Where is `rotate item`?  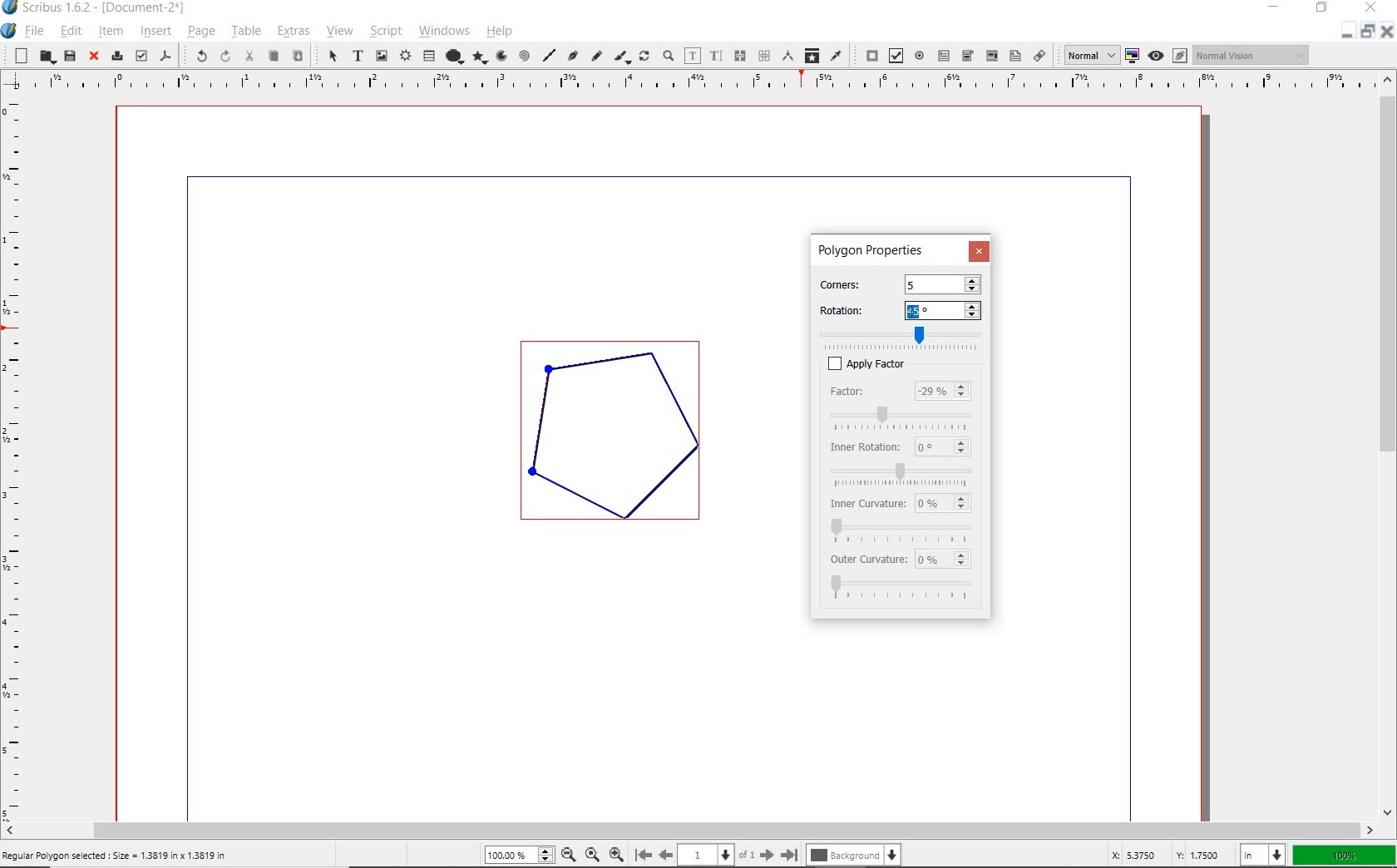 rotate item is located at coordinates (645, 57).